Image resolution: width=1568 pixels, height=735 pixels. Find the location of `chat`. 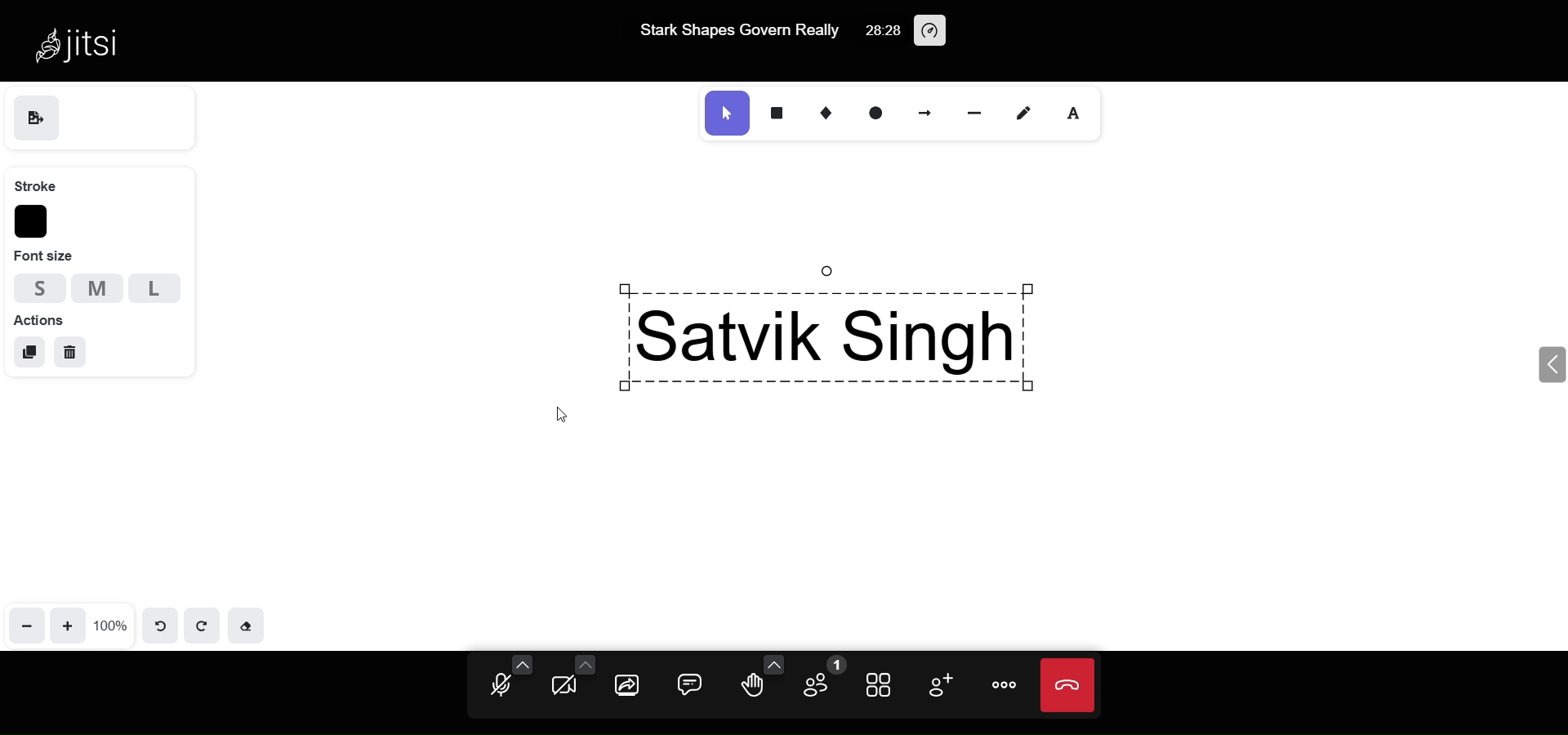

chat is located at coordinates (686, 686).